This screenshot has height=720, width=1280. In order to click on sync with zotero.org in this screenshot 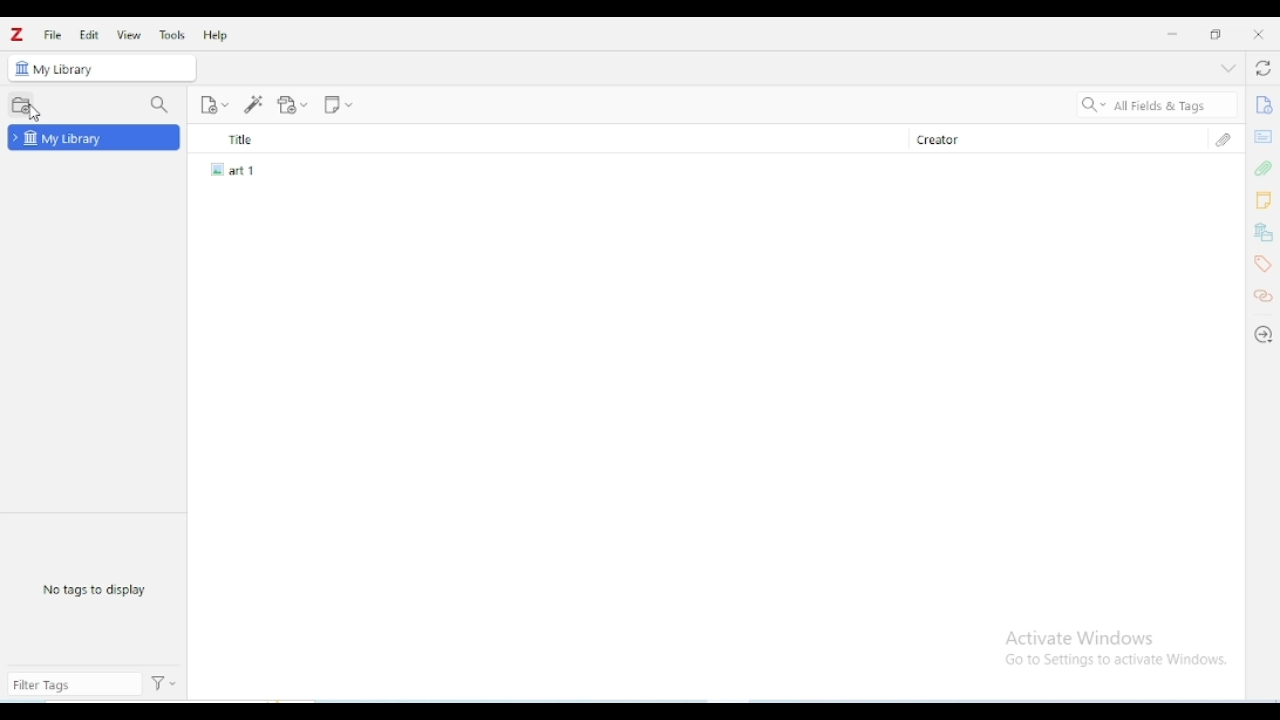, I will do `click(1263, 69)`.